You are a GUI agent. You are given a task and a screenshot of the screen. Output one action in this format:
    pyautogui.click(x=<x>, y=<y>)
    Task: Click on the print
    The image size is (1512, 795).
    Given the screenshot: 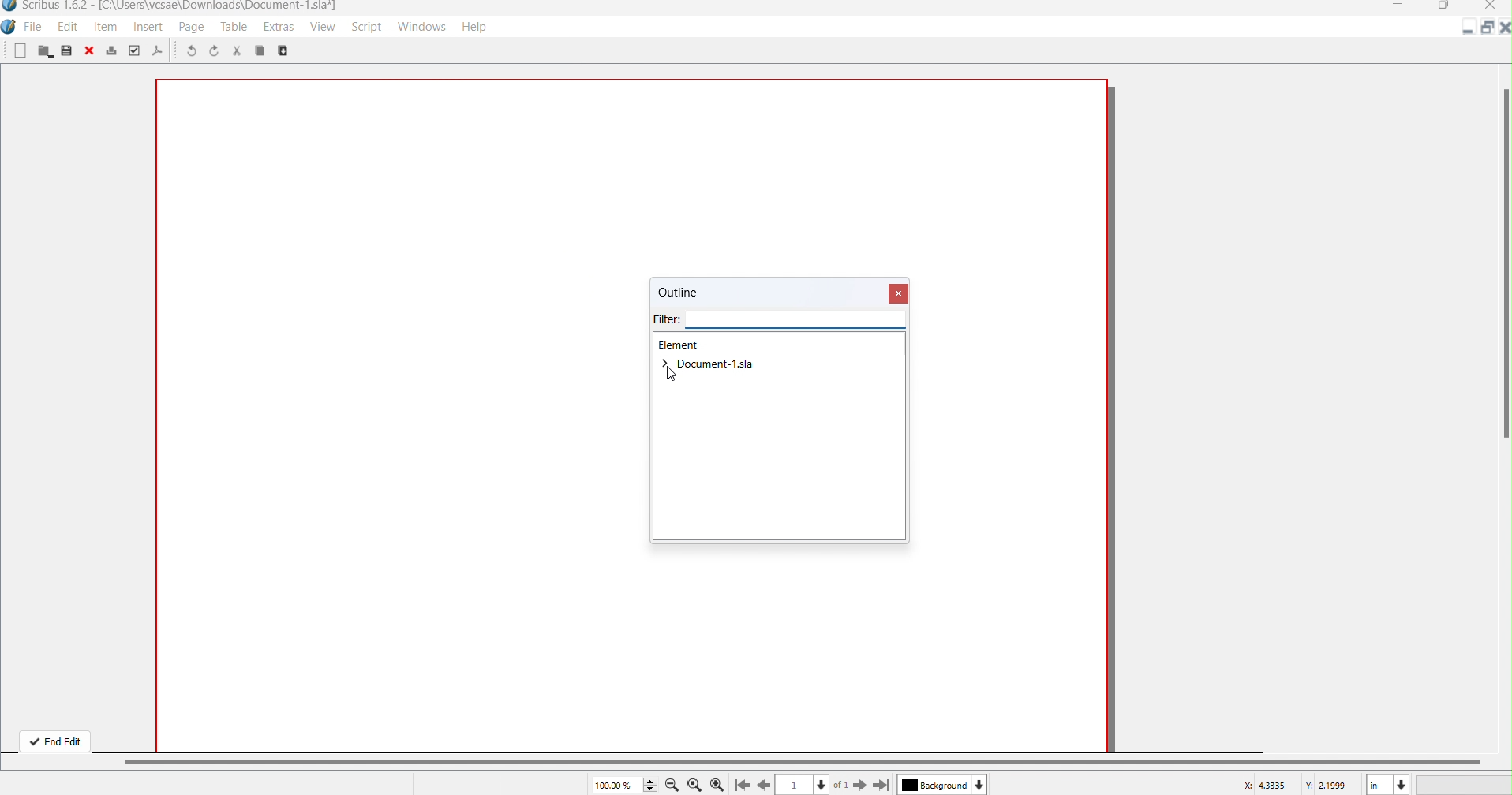 What is the action you would take?
    pyautogui.click(x=112, y=50)
    